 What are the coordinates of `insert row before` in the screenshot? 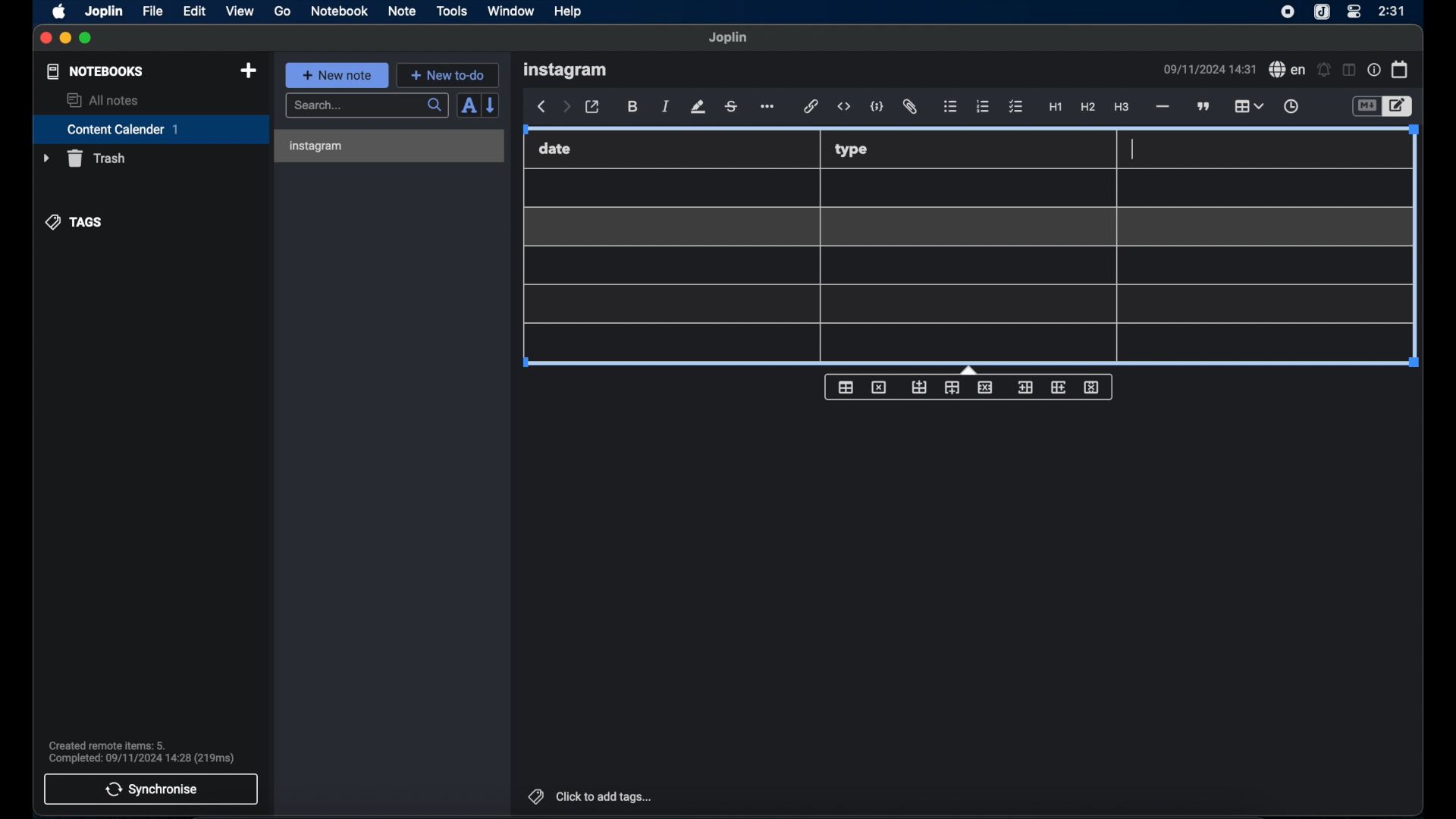 It's located at (919, 386).